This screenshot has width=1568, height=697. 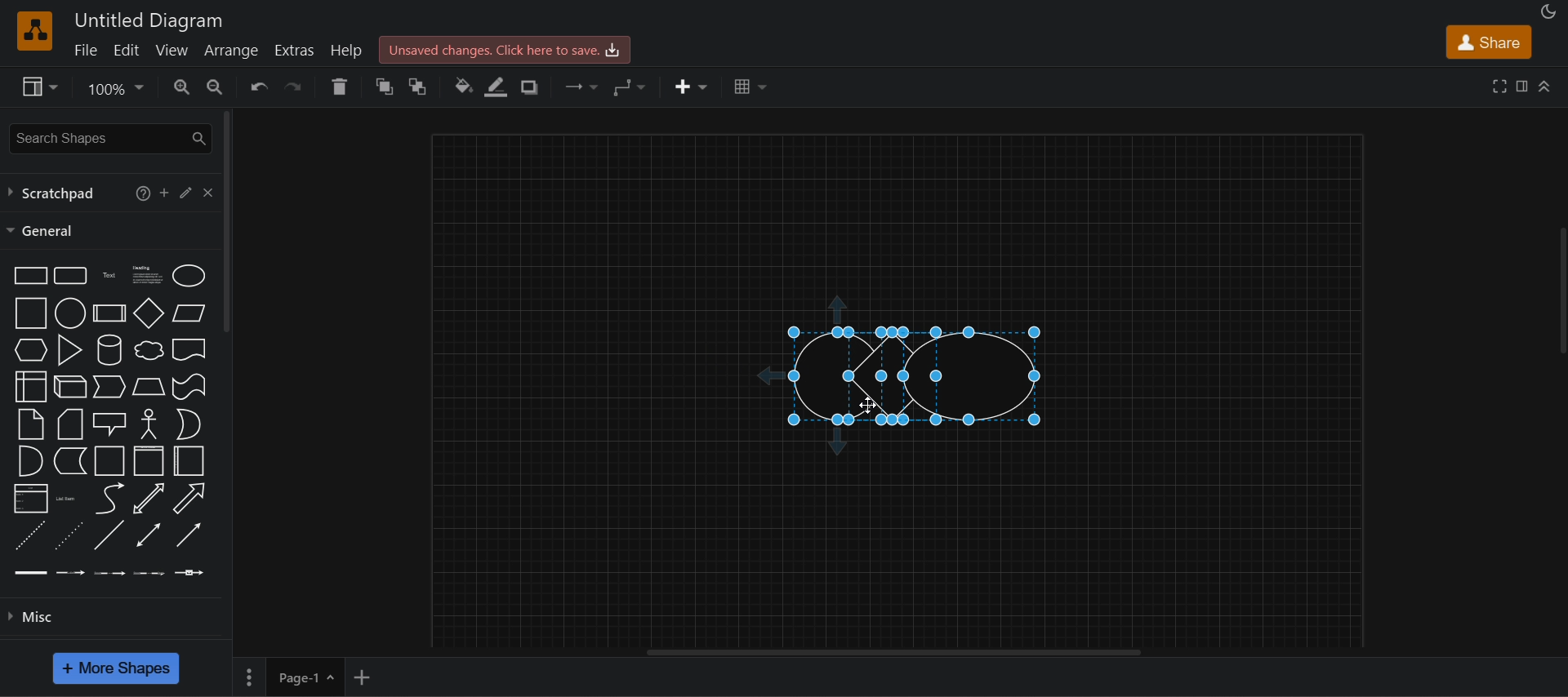 What do you see at coordinates (29, 424) in the screenshot?
I see `note` at bounding box center [29, 424].